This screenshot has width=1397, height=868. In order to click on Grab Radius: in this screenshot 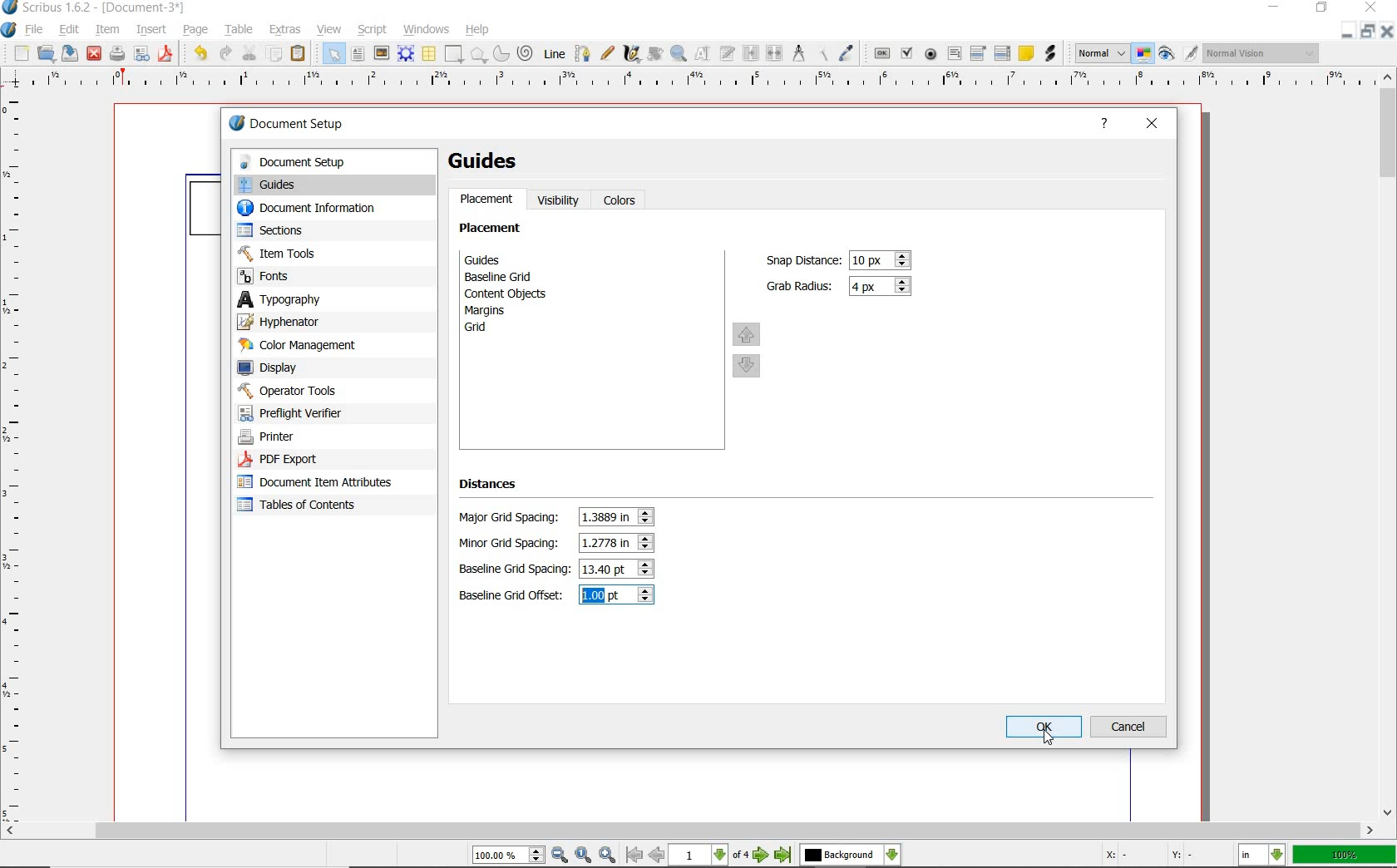, I will do `click(801, 284)`.